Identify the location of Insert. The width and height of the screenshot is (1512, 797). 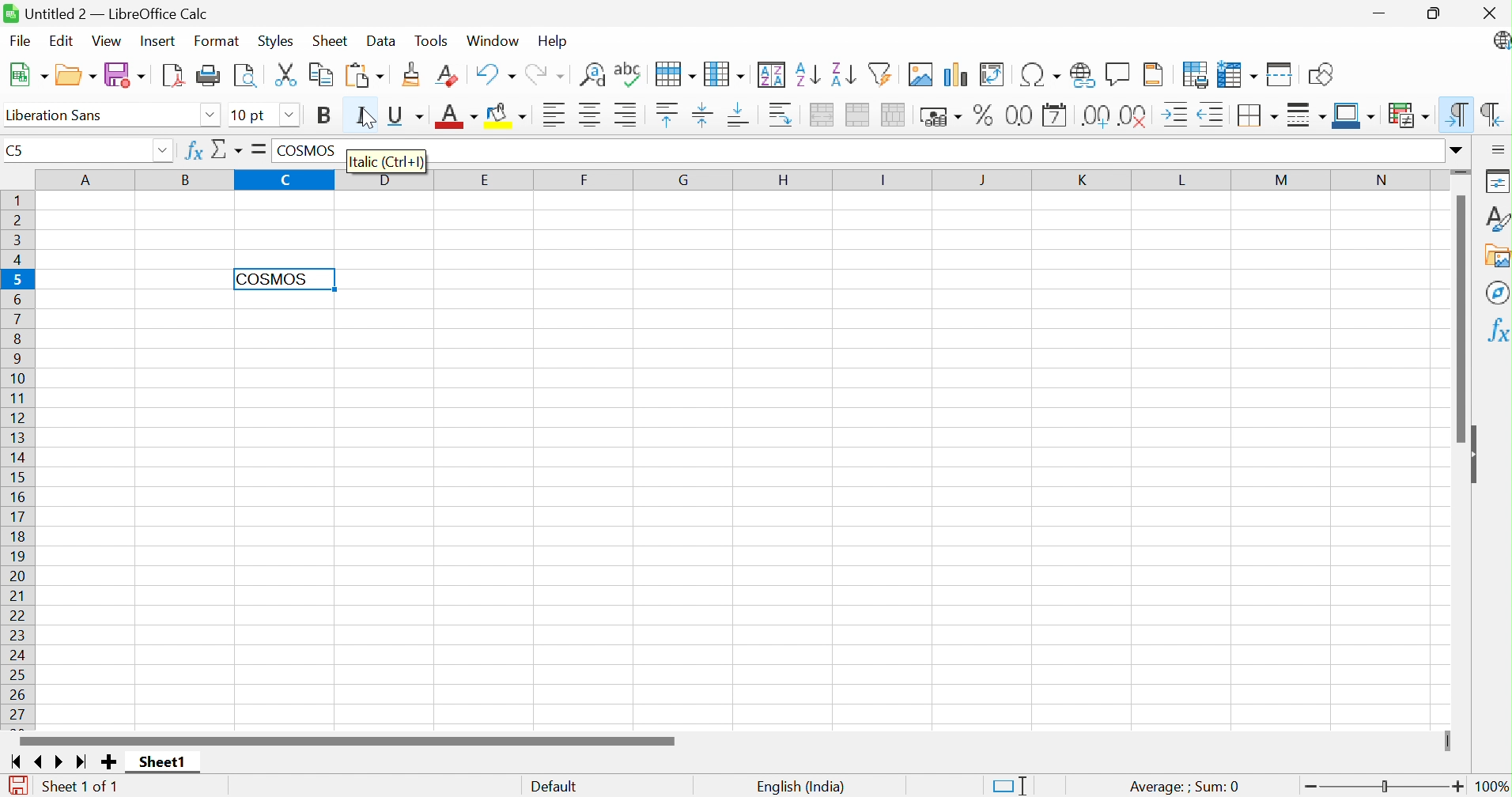
(158, 42).